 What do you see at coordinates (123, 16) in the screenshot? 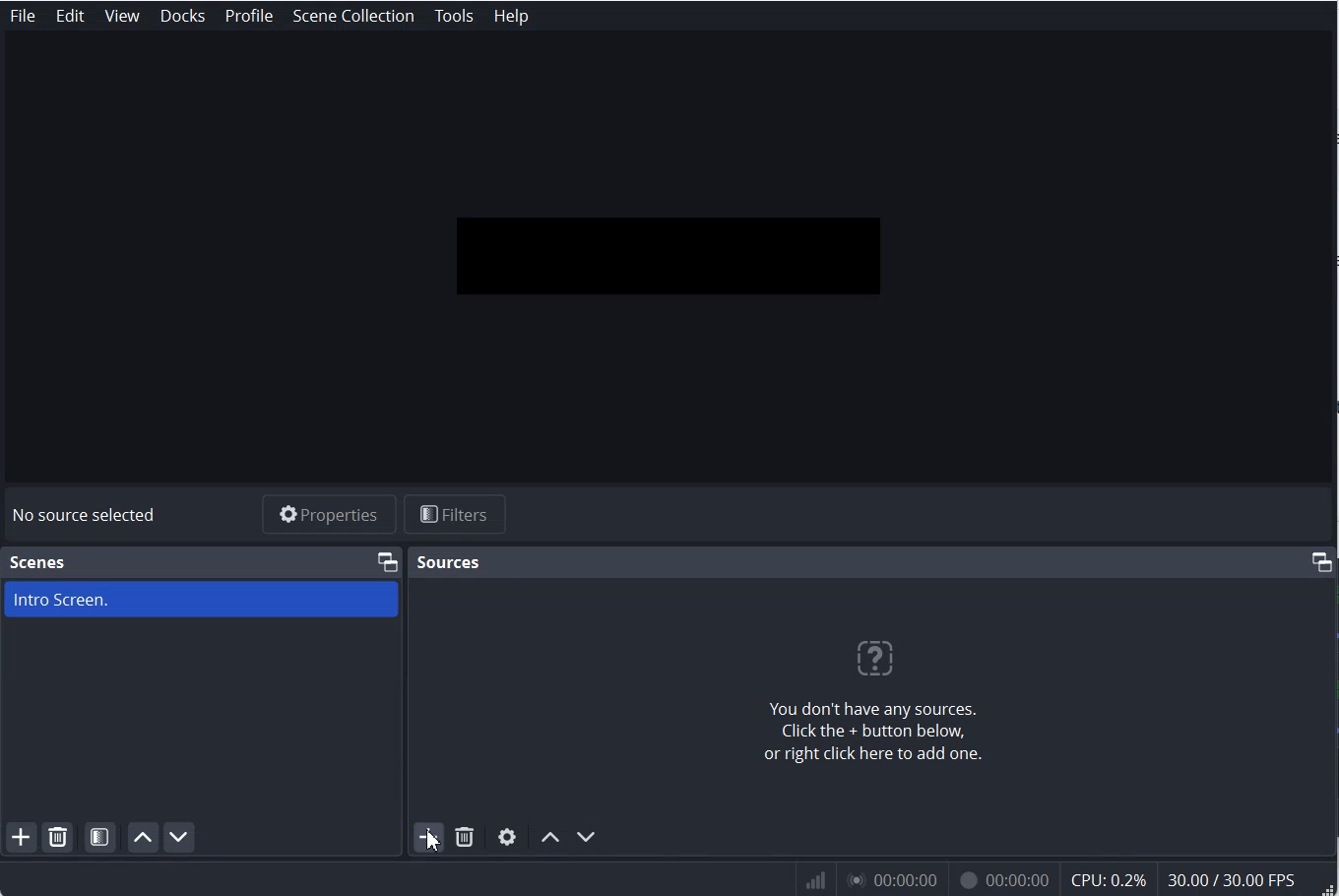
I see `View` at bounding box center [123, 16].